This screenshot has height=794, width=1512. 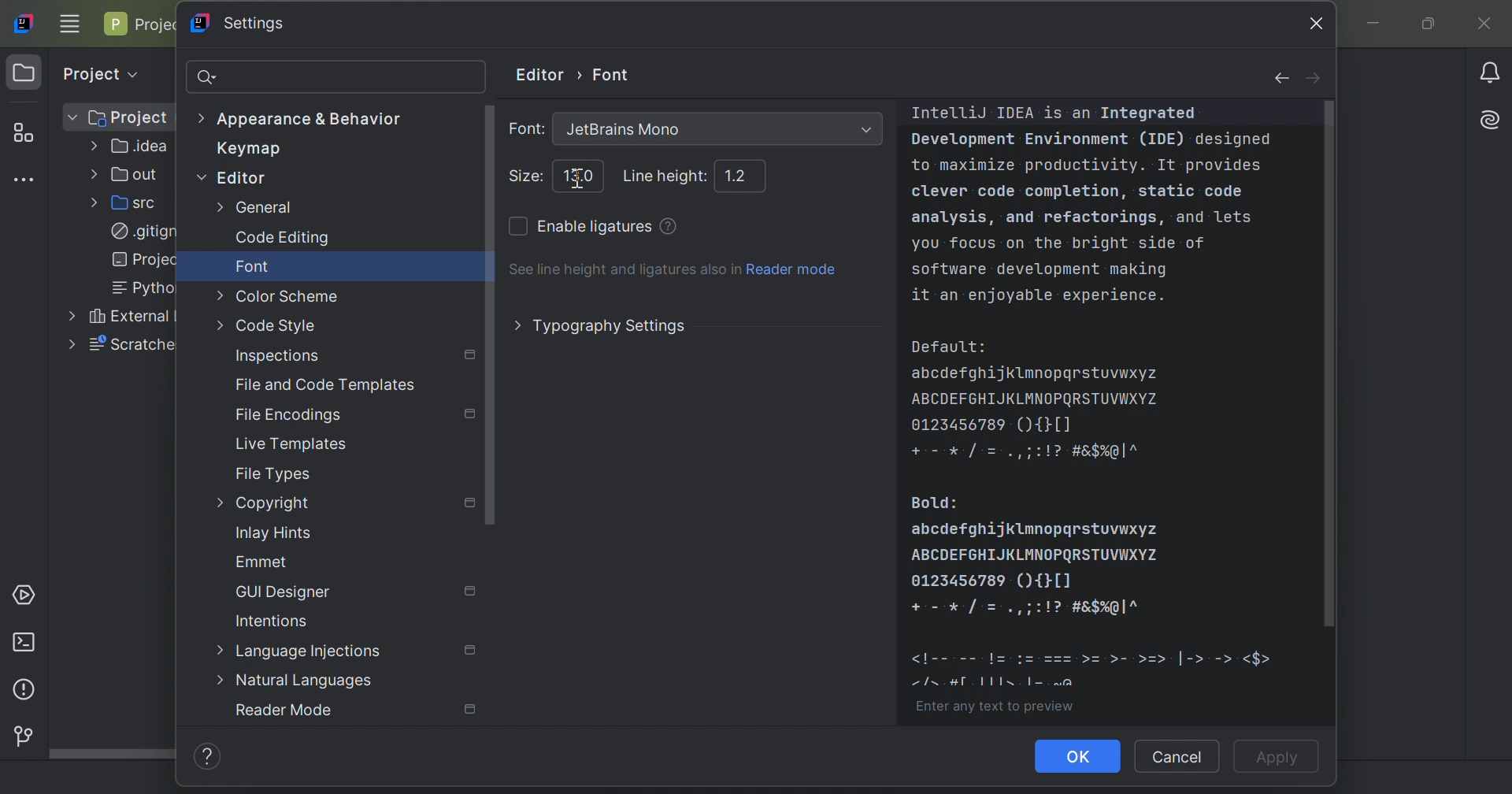 What do you see at coordinates (1038, 554) in the screenshot?
I see `ABCDEFGHIJKLMNOPQRSTUVWXYZ` at bounding box center [1038, 554].